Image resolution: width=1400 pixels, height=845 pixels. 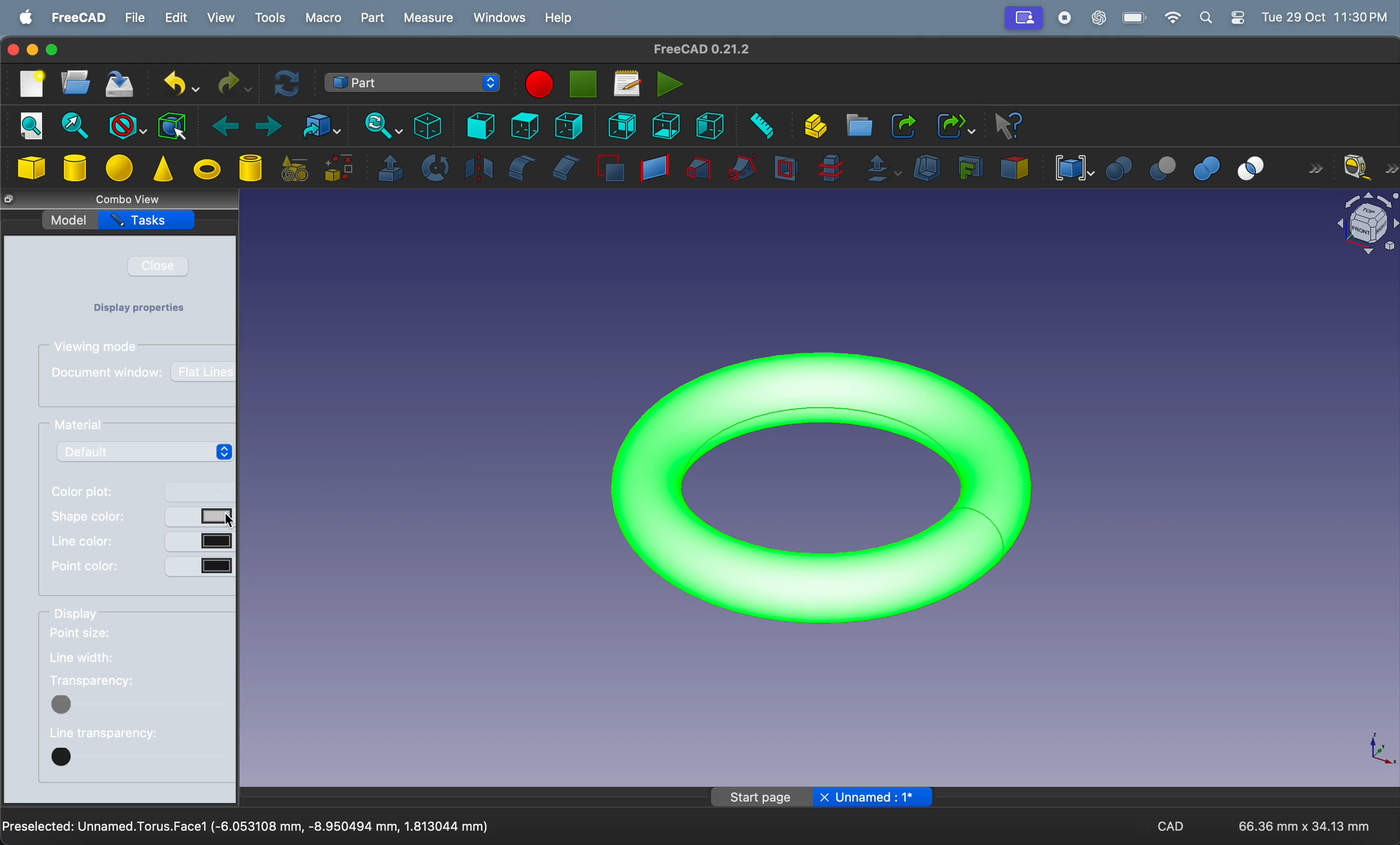 What do you see at coordinates (1134, 18) in the screenshot?
I see `battery` at bounding box center [1134, 18].